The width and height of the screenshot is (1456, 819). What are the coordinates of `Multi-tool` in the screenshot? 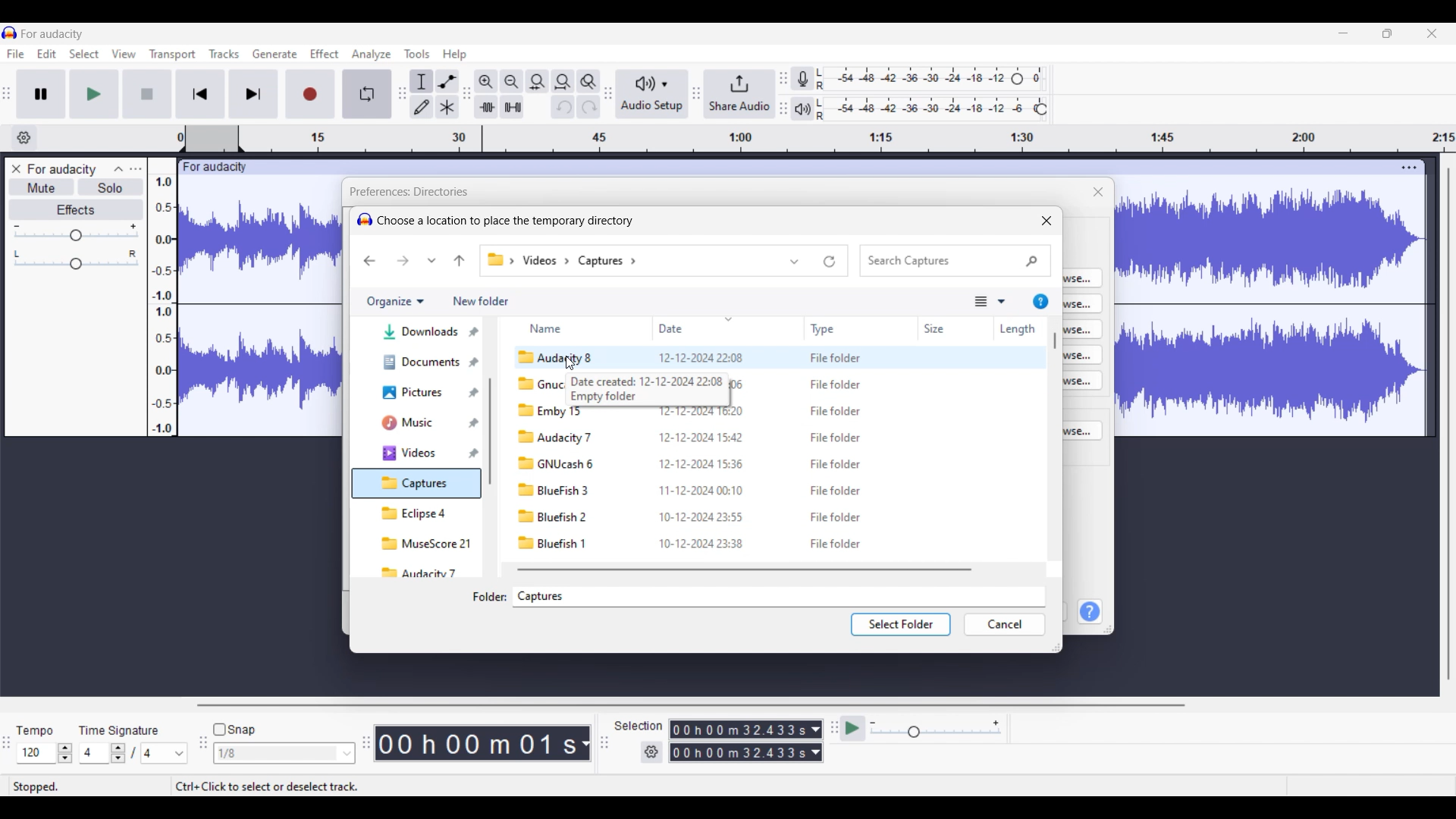 It's located at (447, 106).